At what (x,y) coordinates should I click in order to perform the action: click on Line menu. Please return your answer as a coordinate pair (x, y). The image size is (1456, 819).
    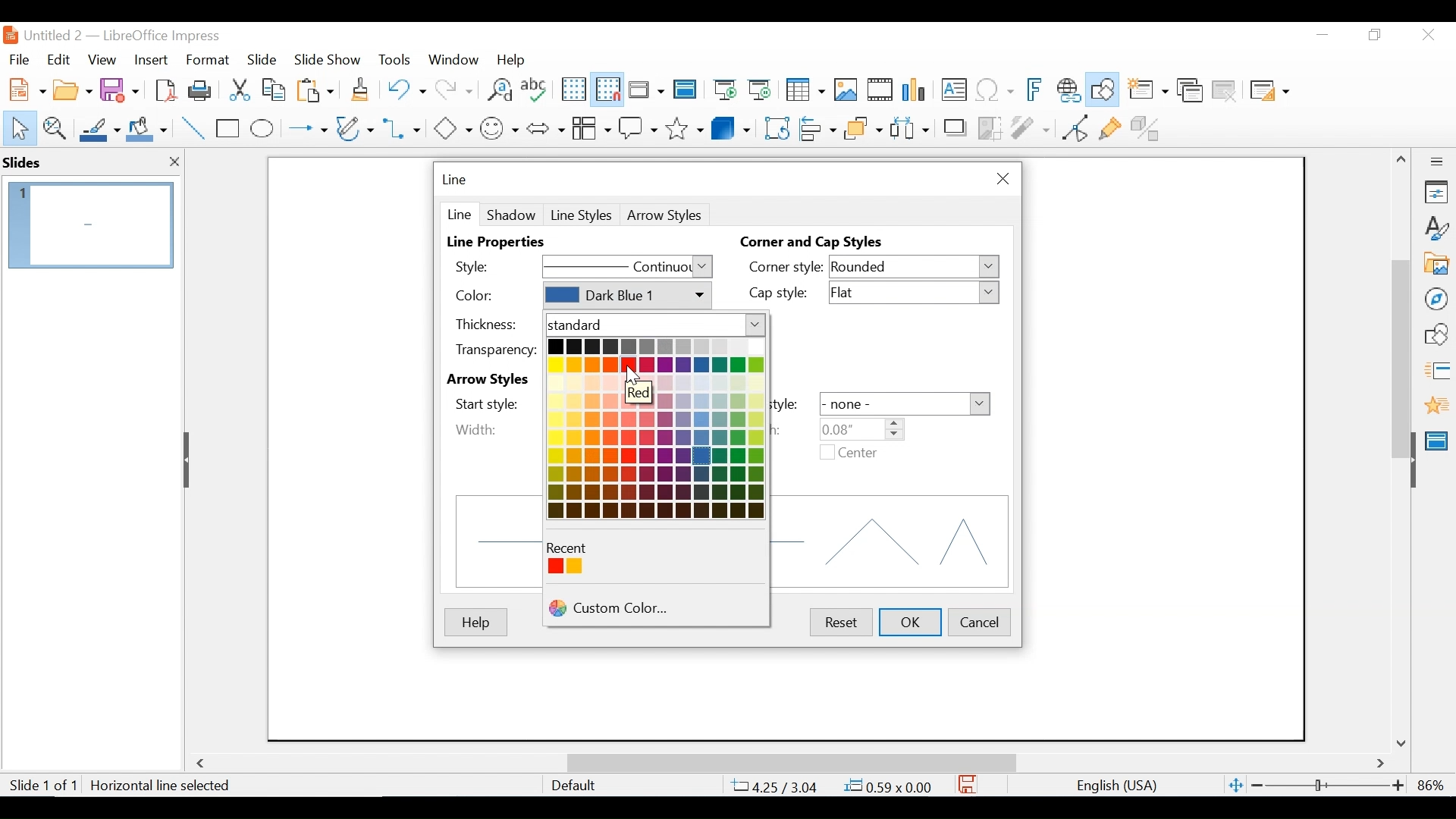
    Looking at the image, I should click on (456, 180).